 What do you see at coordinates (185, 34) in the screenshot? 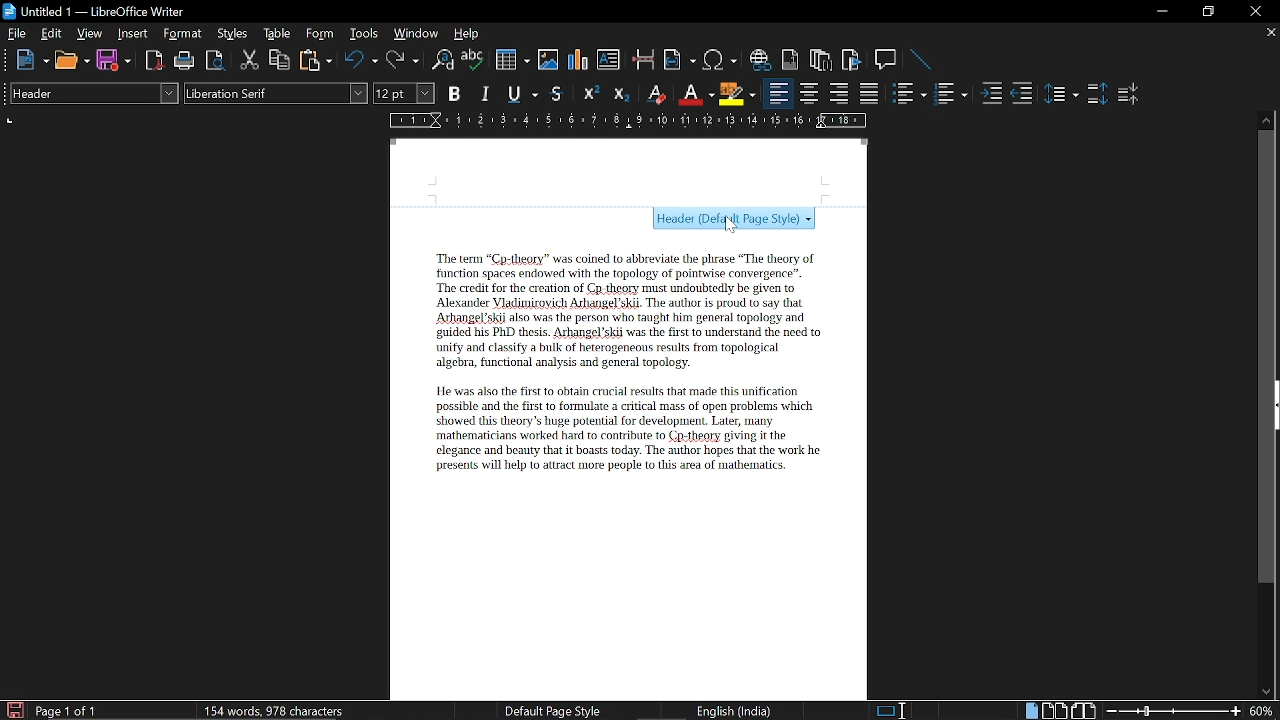
I see `Format` at bounding box center [185, 34].